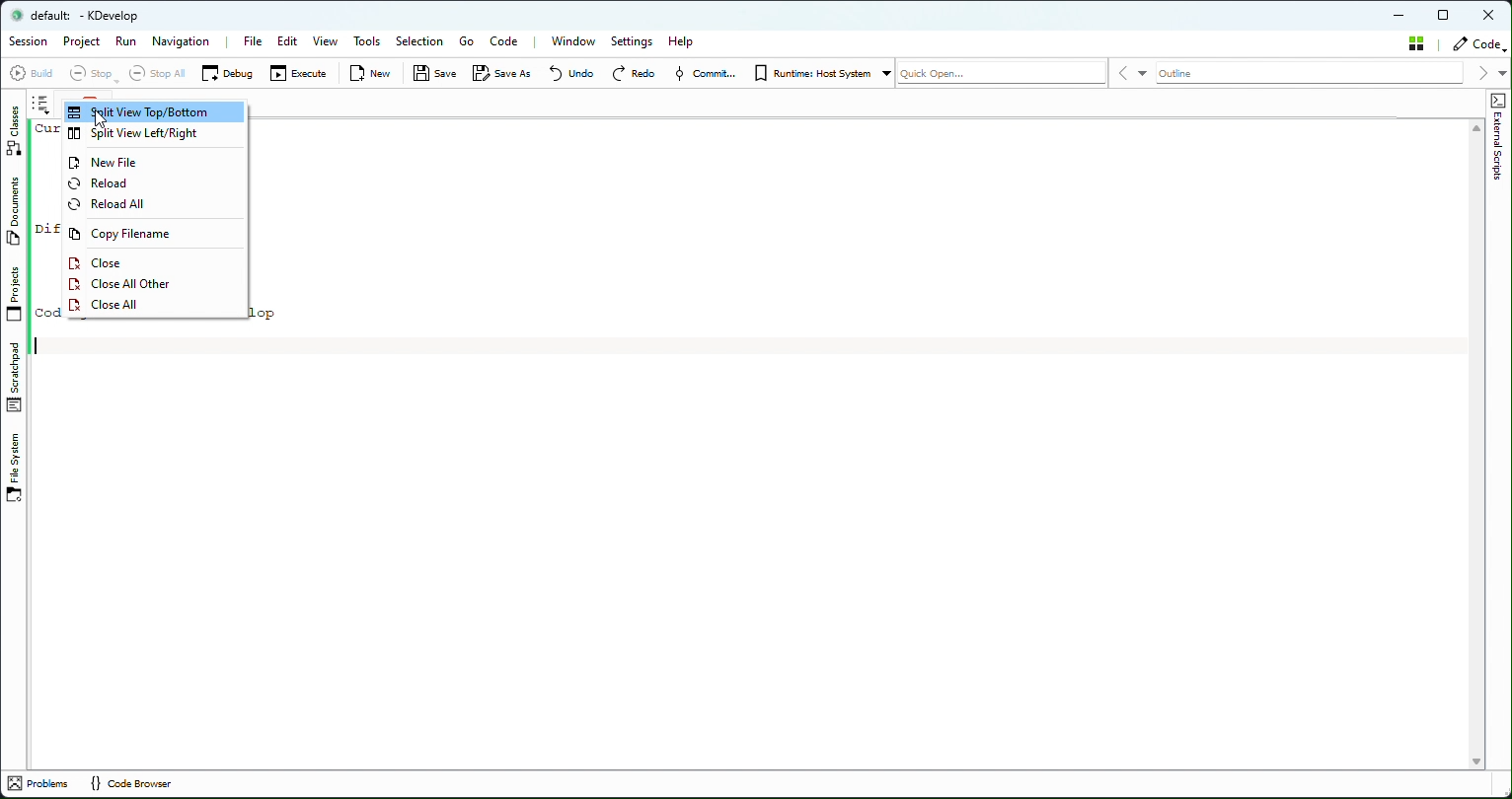 The height and width of the screenshot is (799, 1512). Describe the element at coordinates (469, 42) in the screenshot. I see `Go` at that location.